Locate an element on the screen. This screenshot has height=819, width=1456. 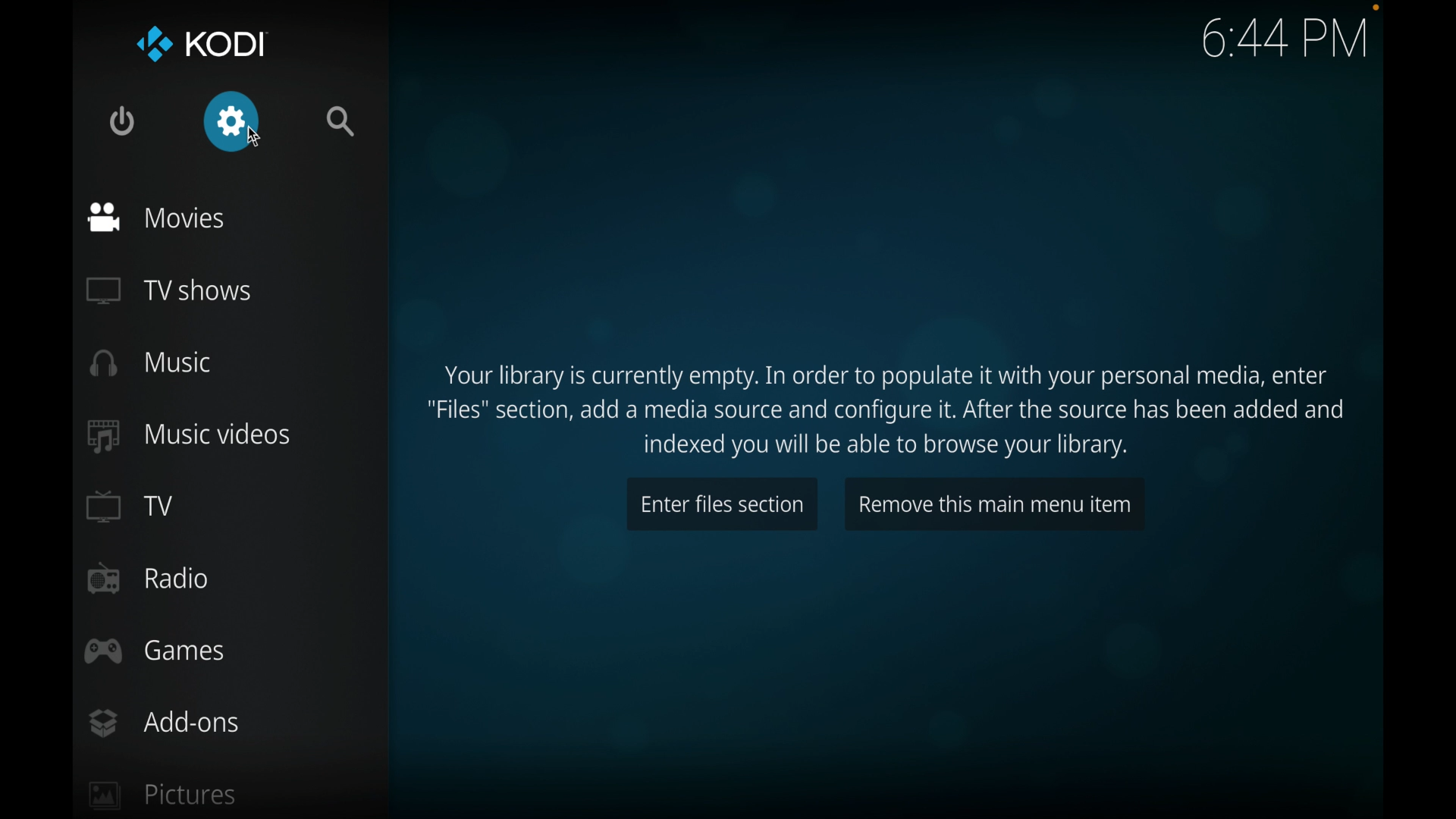
search is located at coordinates (342, 122).